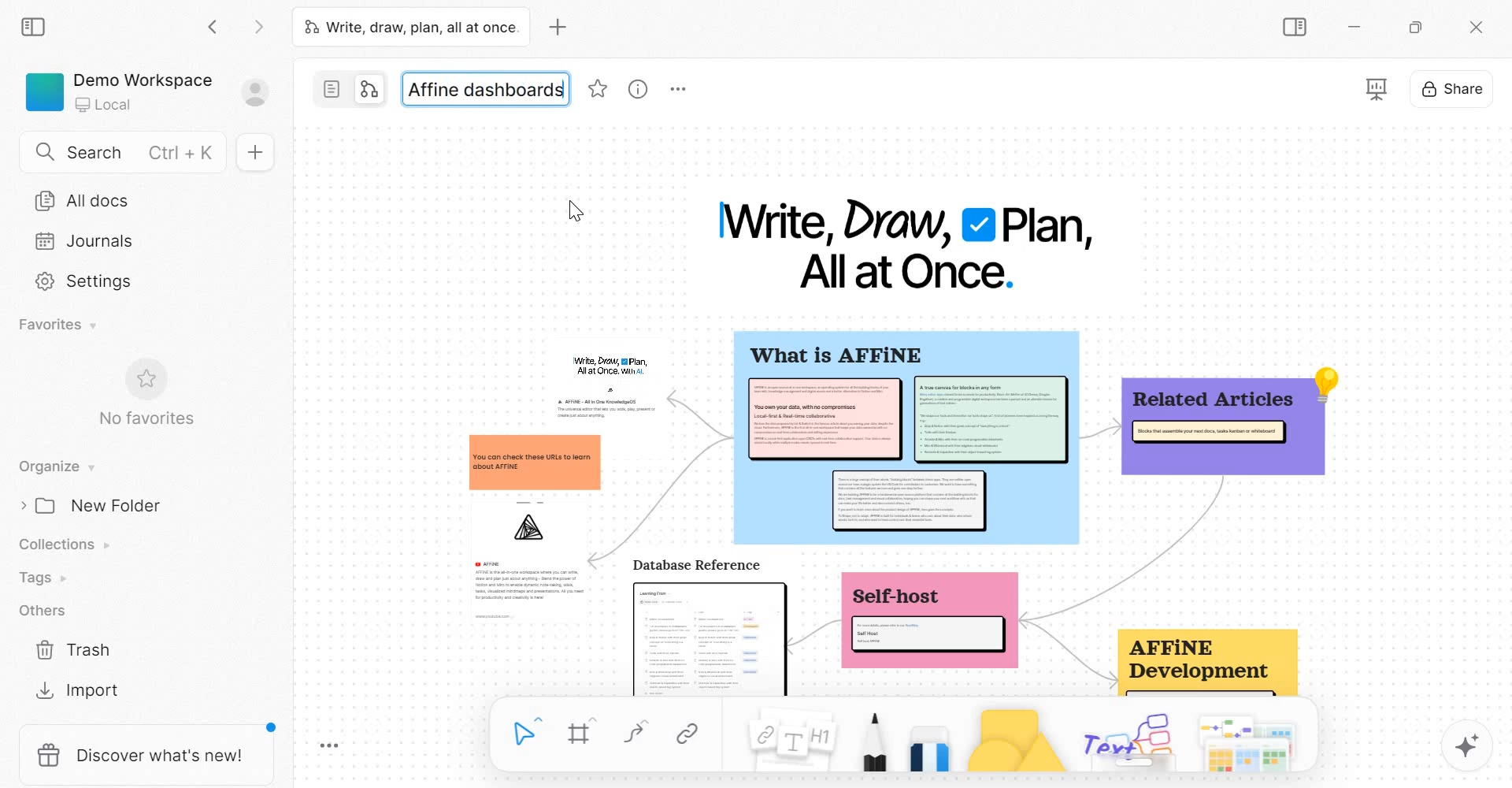 The image size is (1512, 788). I want to click on Frame, so click(579, 734).